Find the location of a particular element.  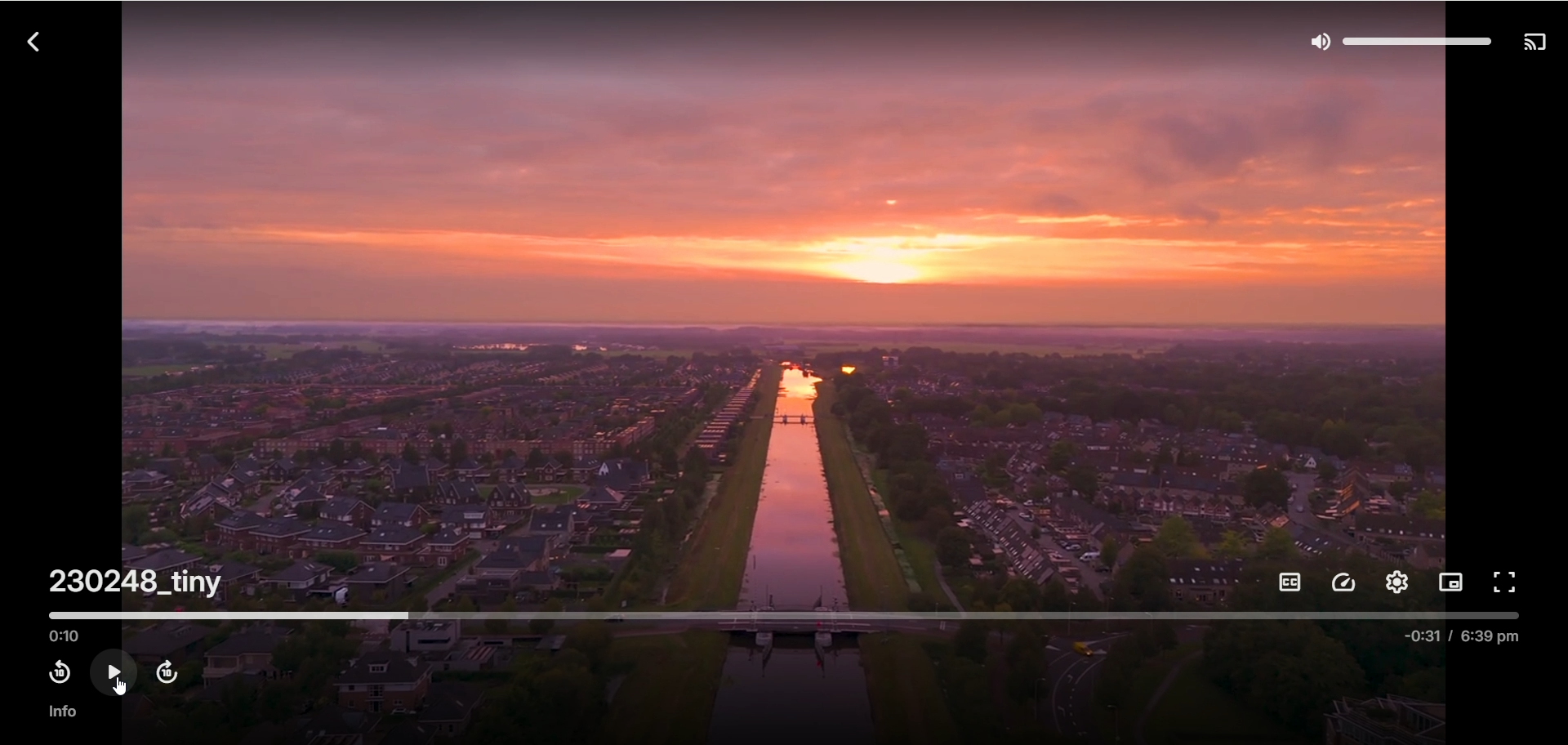

back is located at coordinates (37, 42).